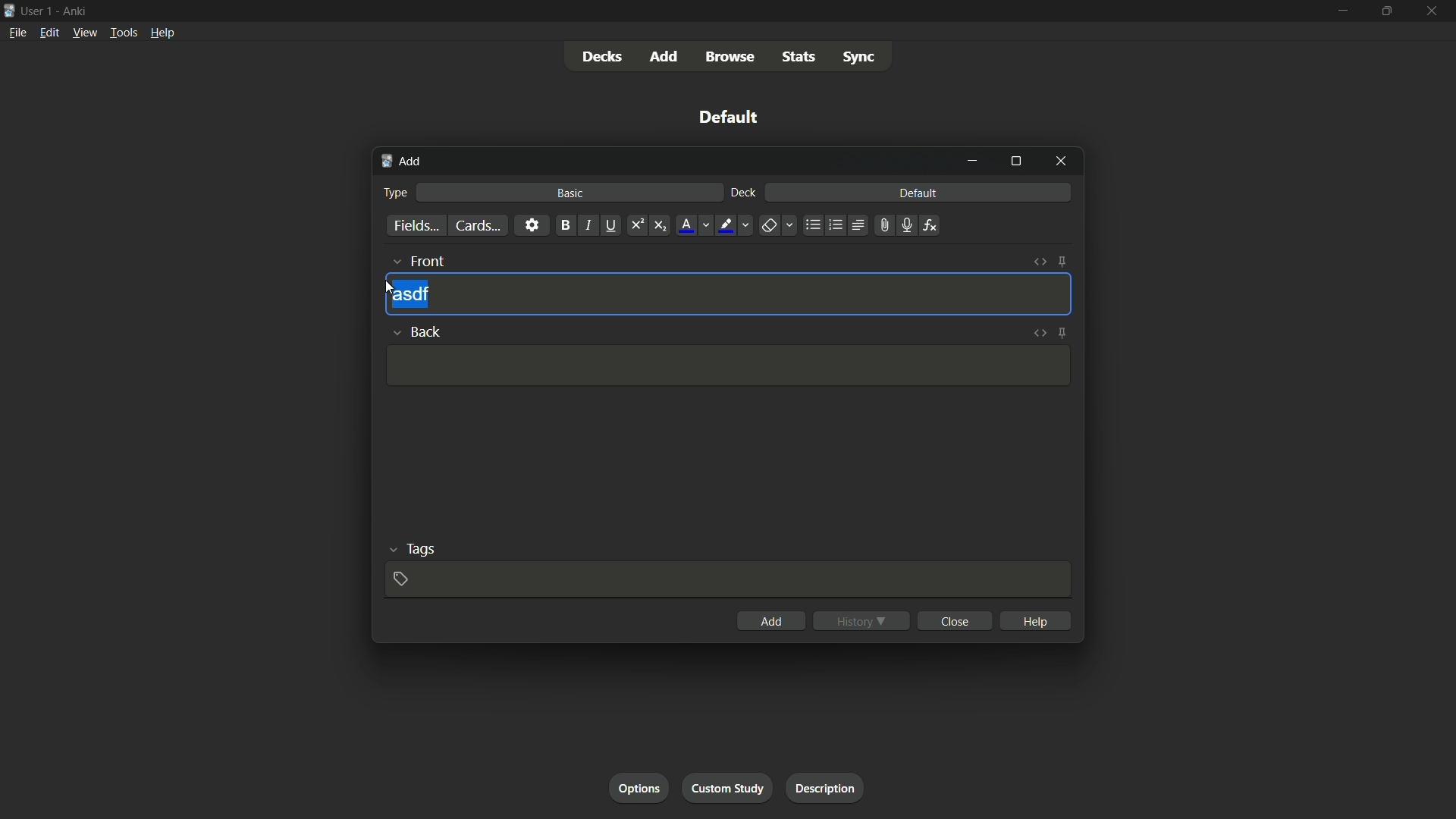 Image resolution: width=1456 pixels, height=819 pixels. What do you see at coordinates (1385, 10) in the screenshot?
I see `maximize` at bounding box center [1385, 10].